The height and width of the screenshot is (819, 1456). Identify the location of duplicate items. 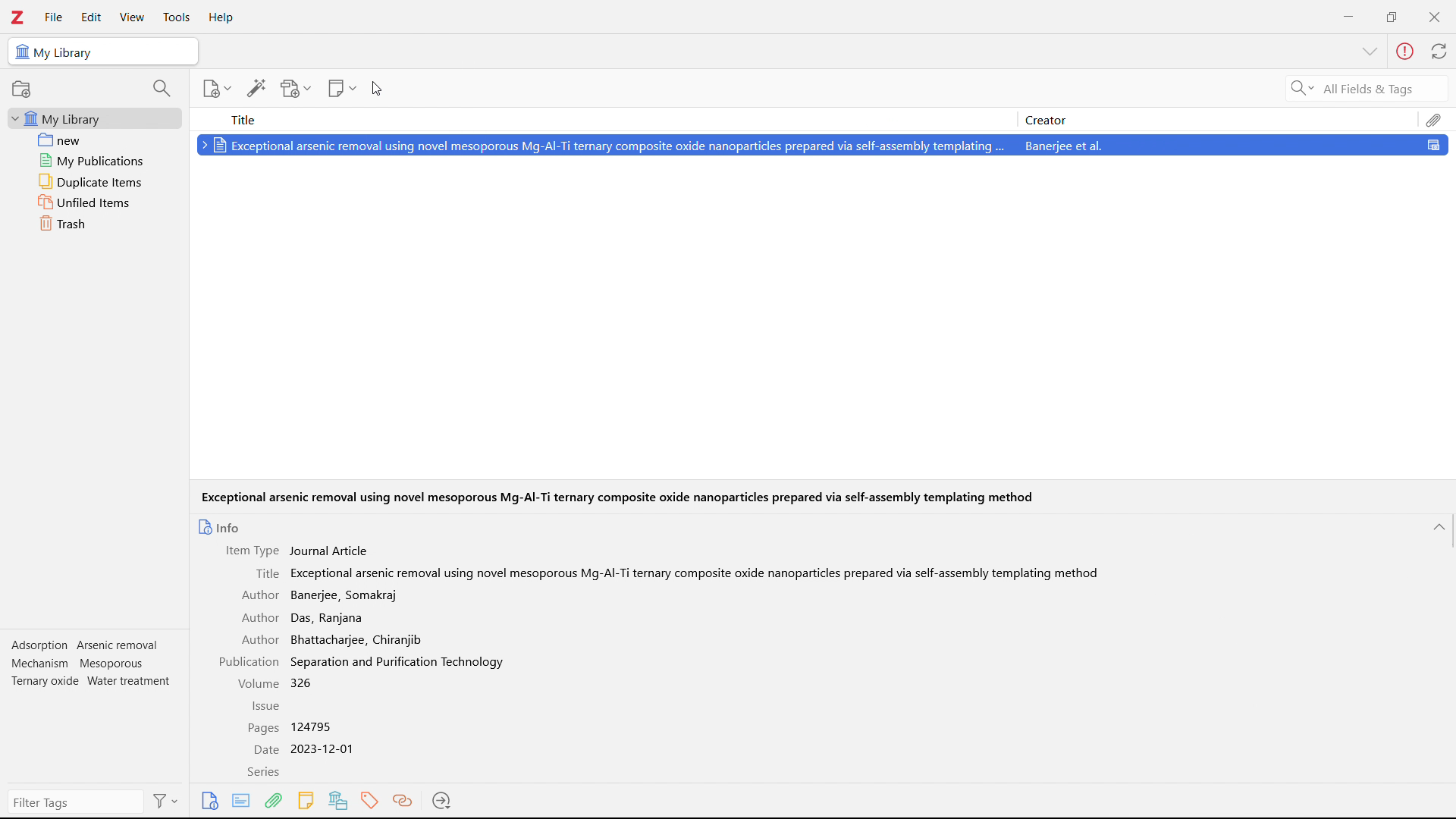
(94, 182).